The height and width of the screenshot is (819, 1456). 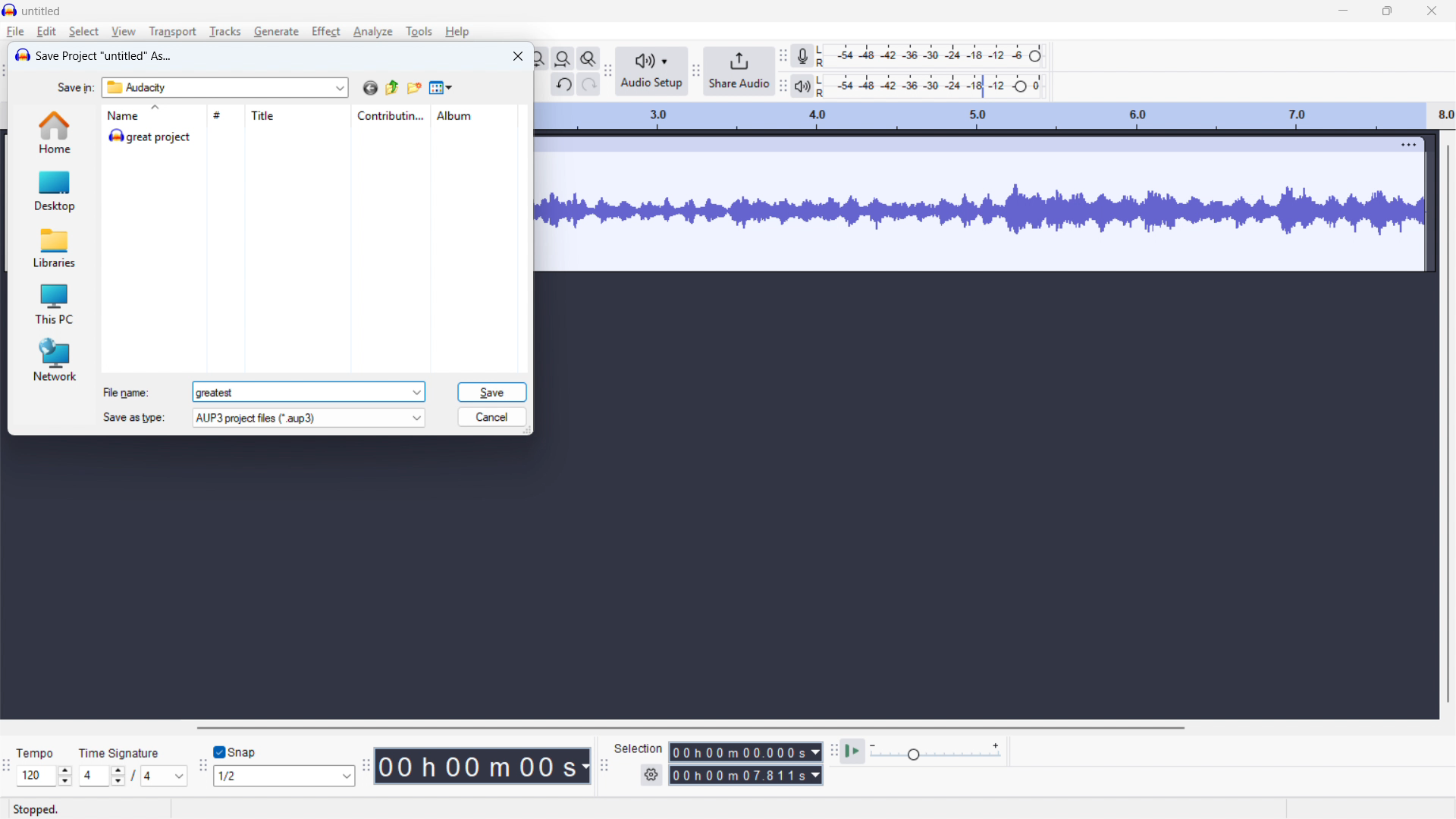 I want to click on playback level, so click(x=934, y=86).